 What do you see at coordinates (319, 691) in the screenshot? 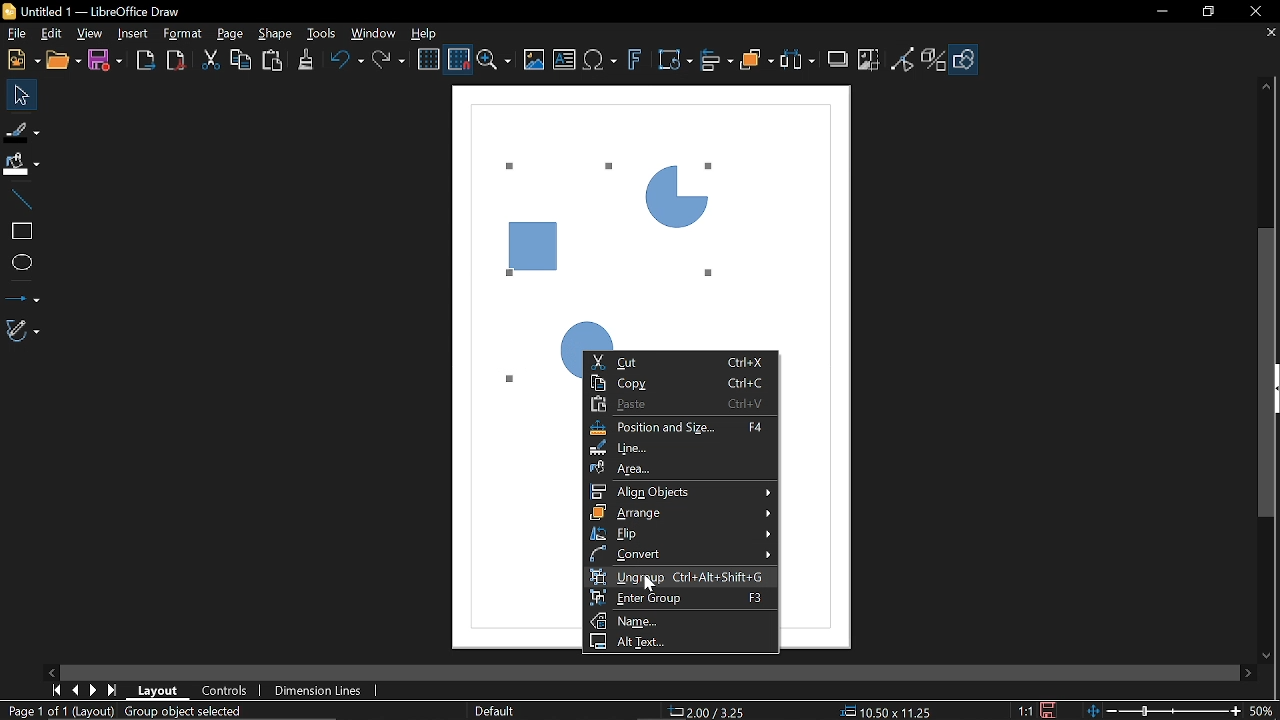
I see `Dimension Lines` at bounding box center [319, 691].